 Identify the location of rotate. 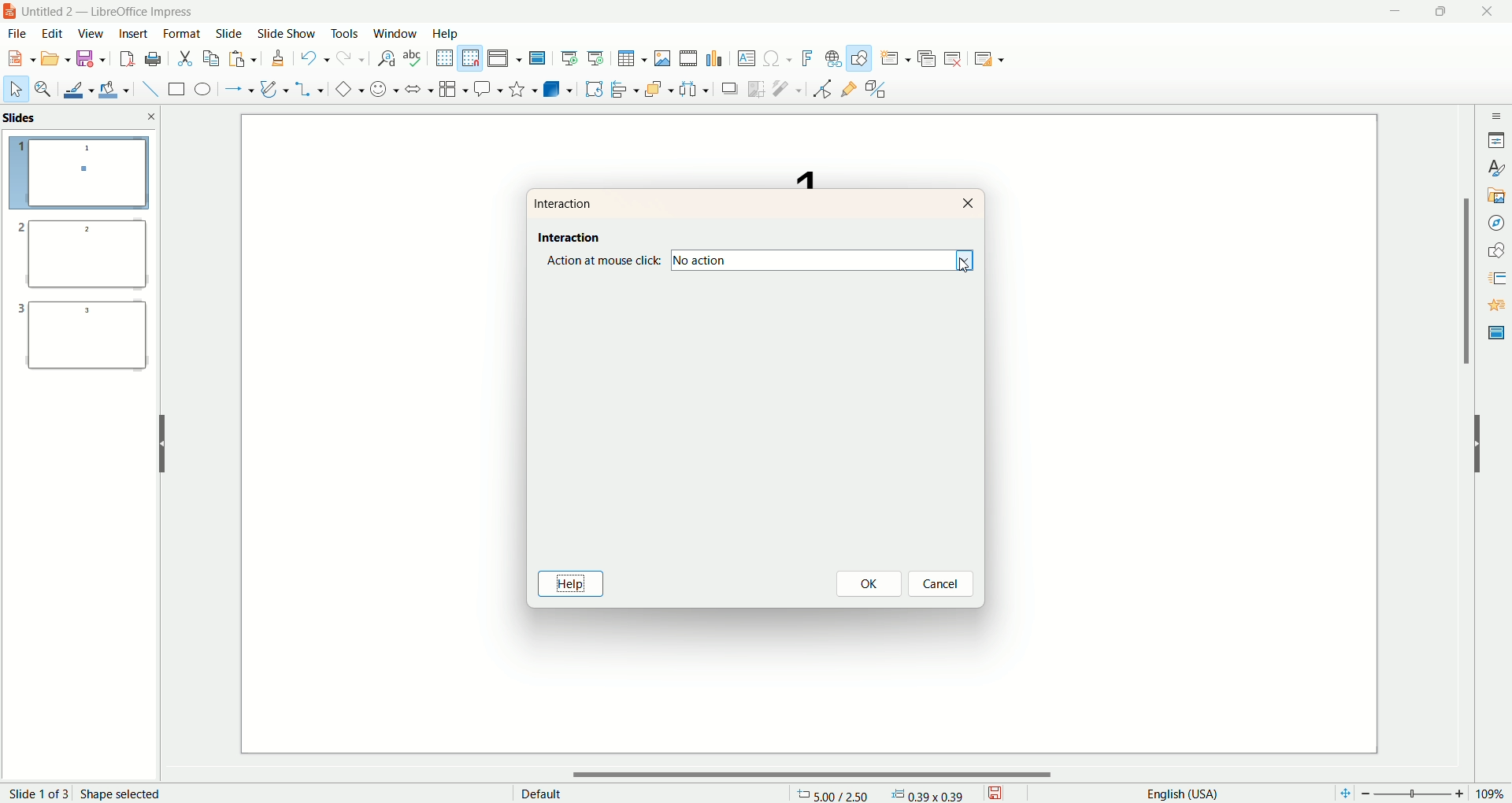
(594, 88).